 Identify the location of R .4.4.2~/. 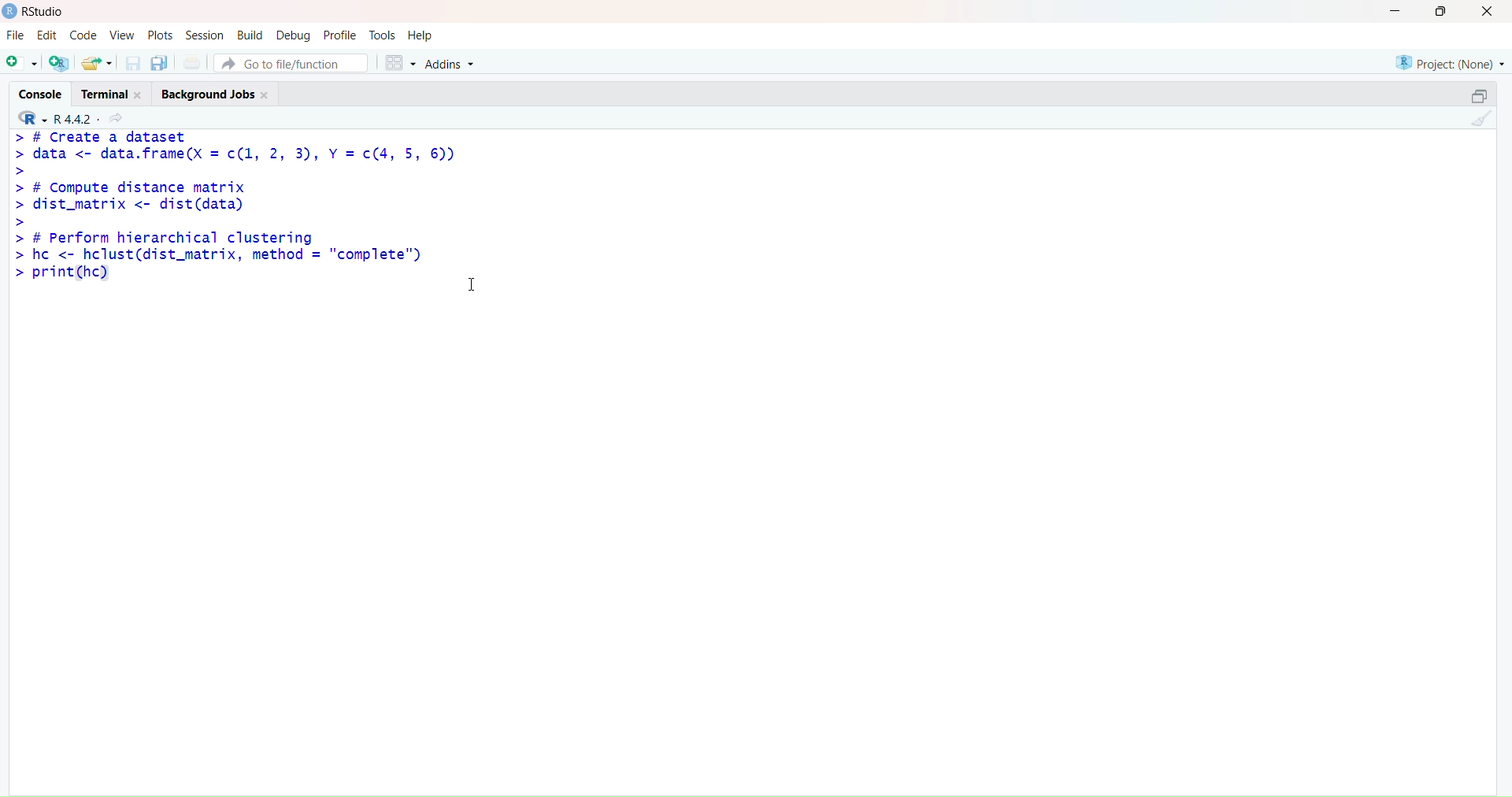
(76, 120).